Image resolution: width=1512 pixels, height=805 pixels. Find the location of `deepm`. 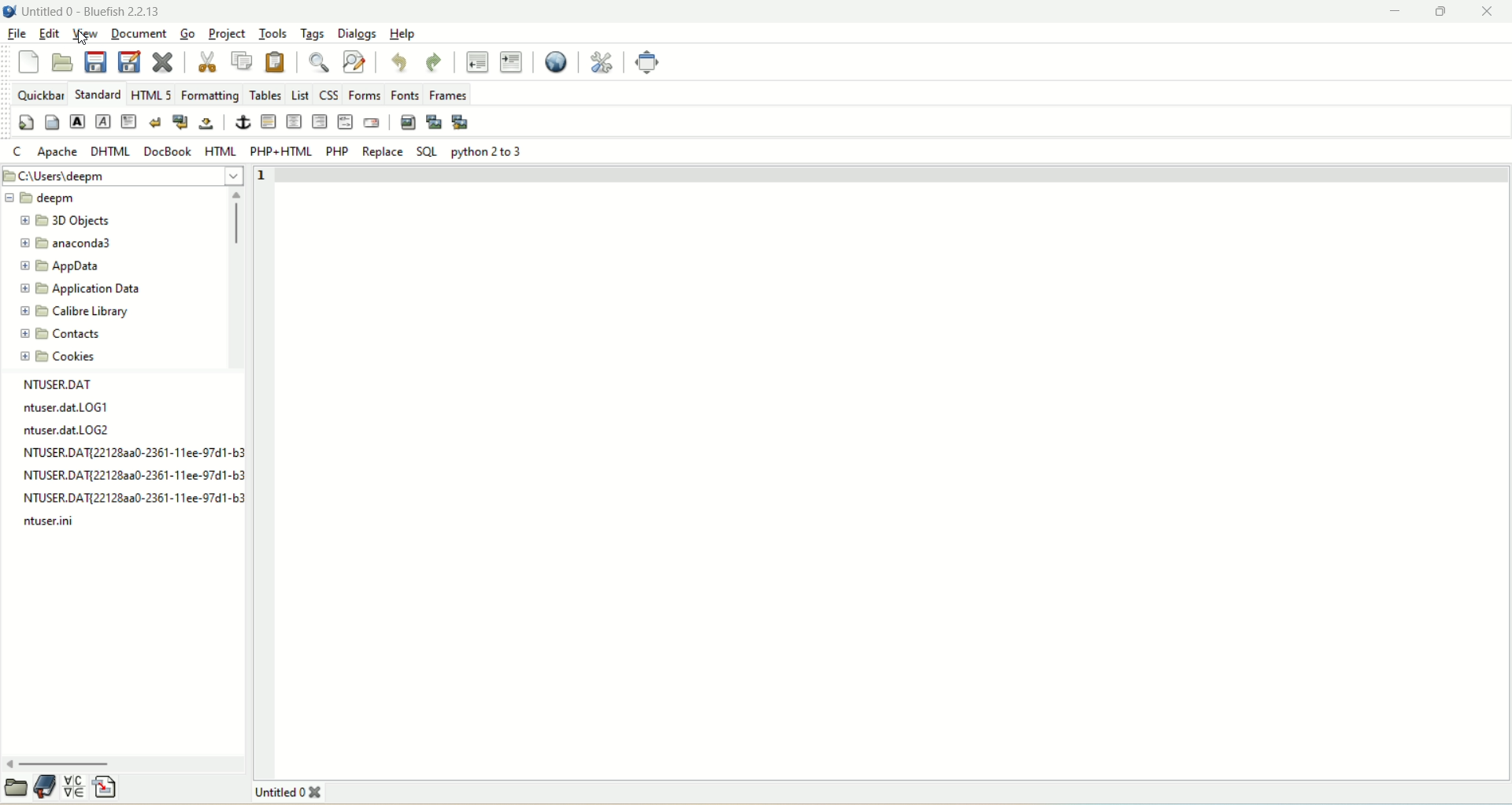

deepm is located at coordinates (39, 199).